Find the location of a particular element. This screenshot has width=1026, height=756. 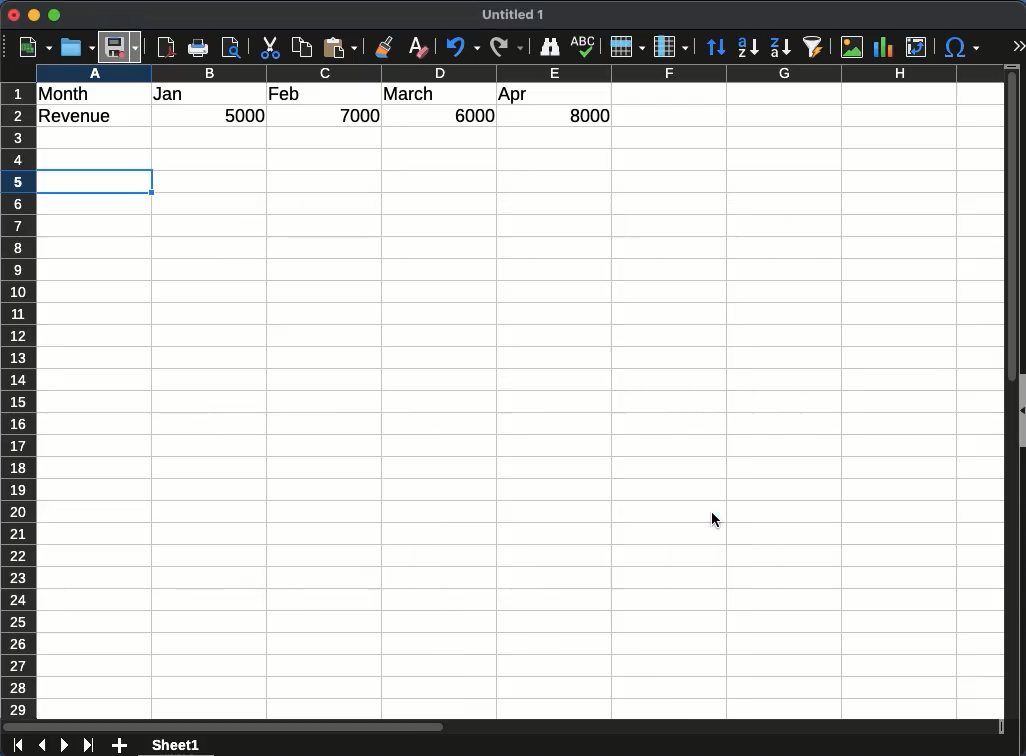

next sheet is located at coordinates (63, 746).